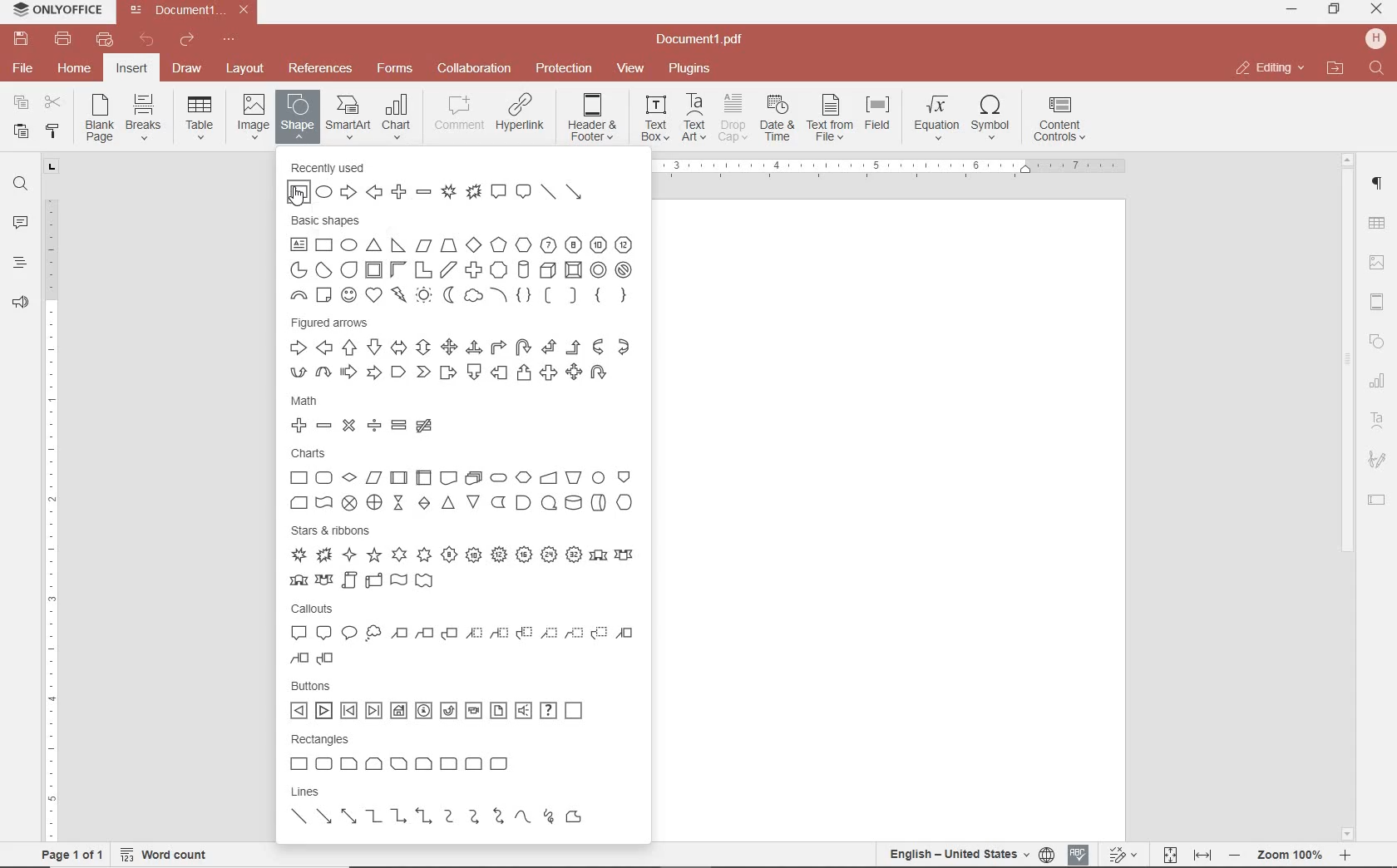 The height and width of the screenshot is (868, 1397). Describe the element at coordinates (1345, 496) in the screenshot. I see `scrollbar` at that location.